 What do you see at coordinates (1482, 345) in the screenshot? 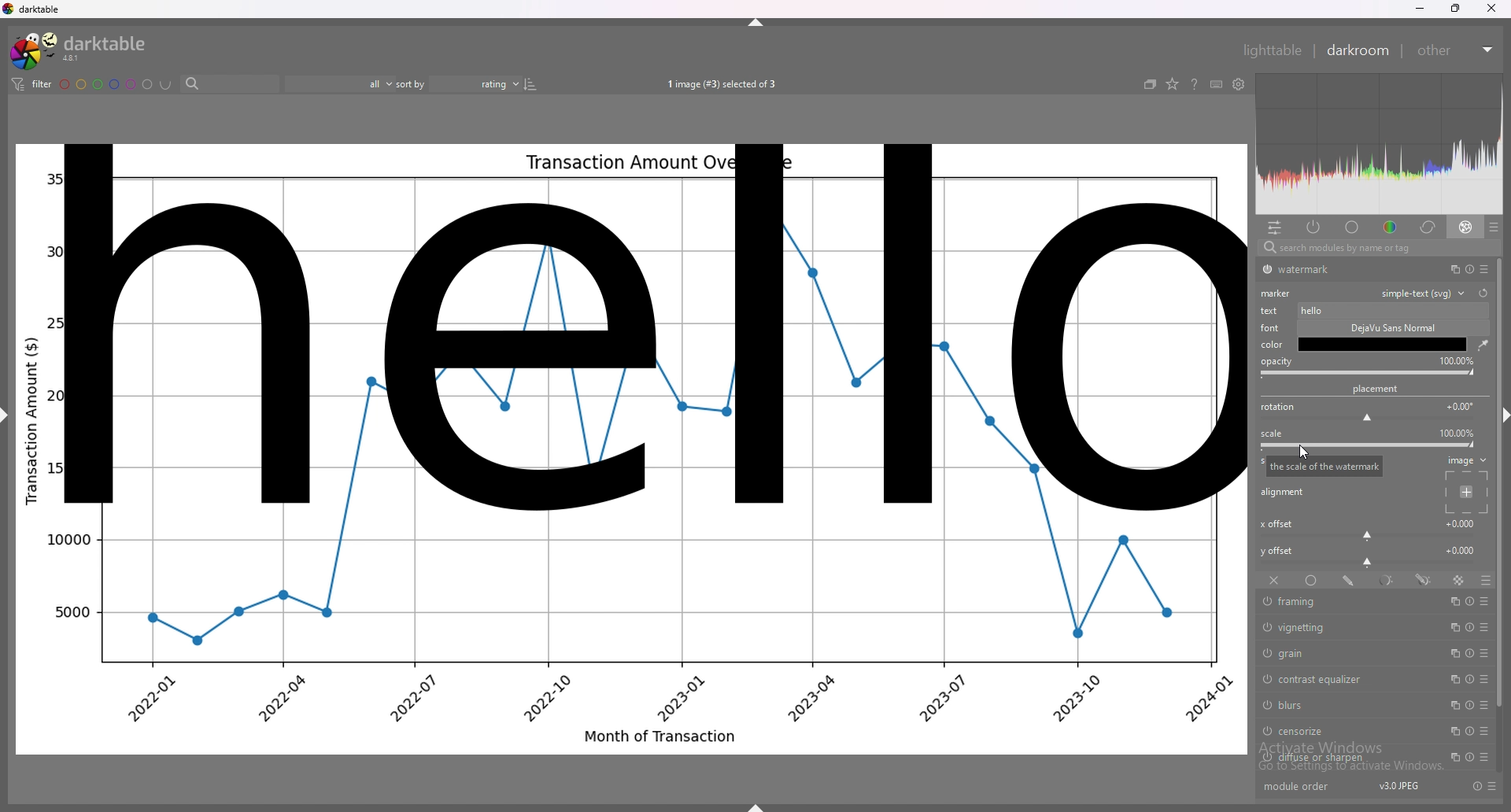
I see `waterdrop` at bounding box center [1482, 345].